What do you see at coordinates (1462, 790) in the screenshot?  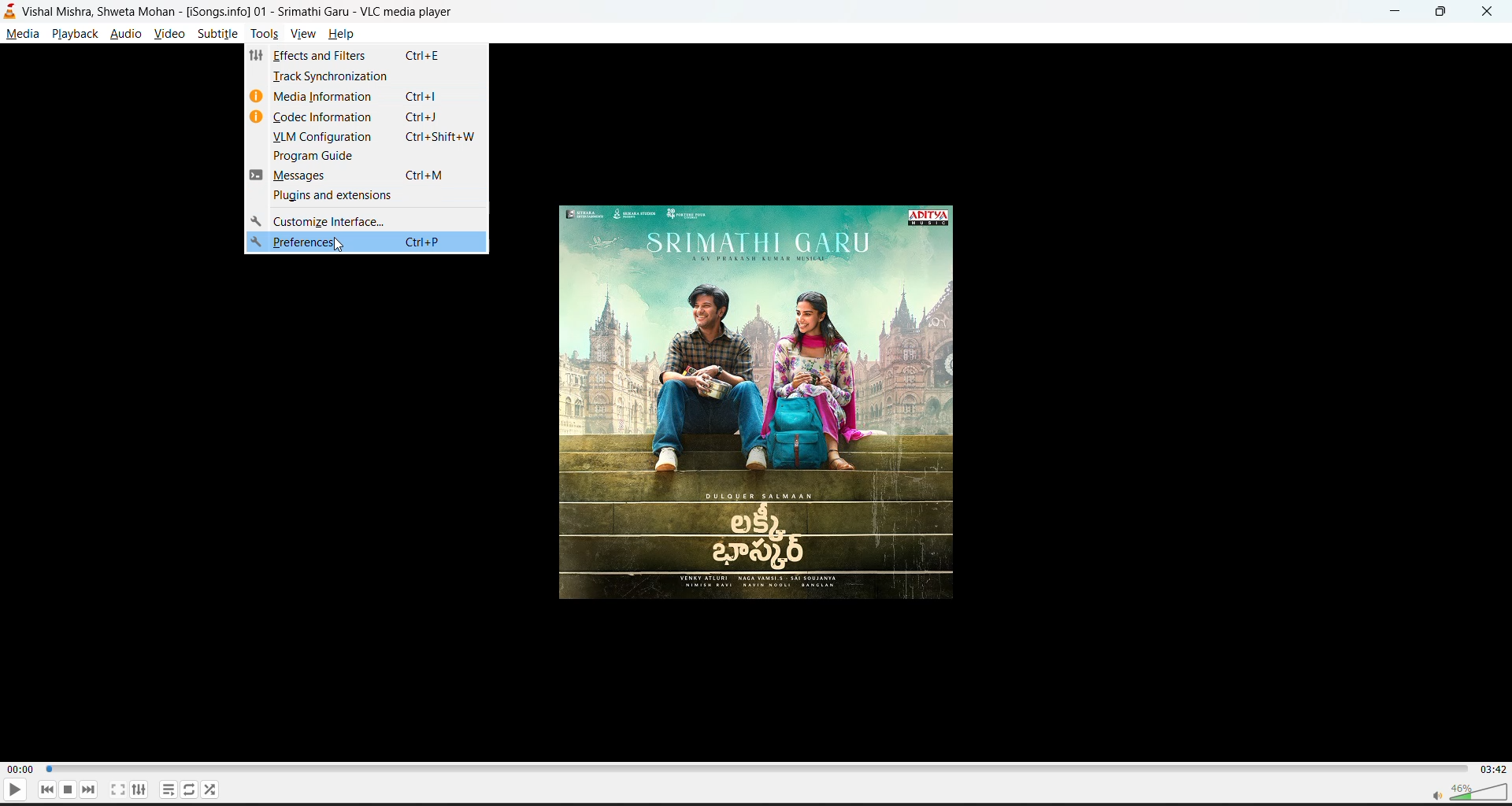 I see `volume` at bounding box center [1462, 790].